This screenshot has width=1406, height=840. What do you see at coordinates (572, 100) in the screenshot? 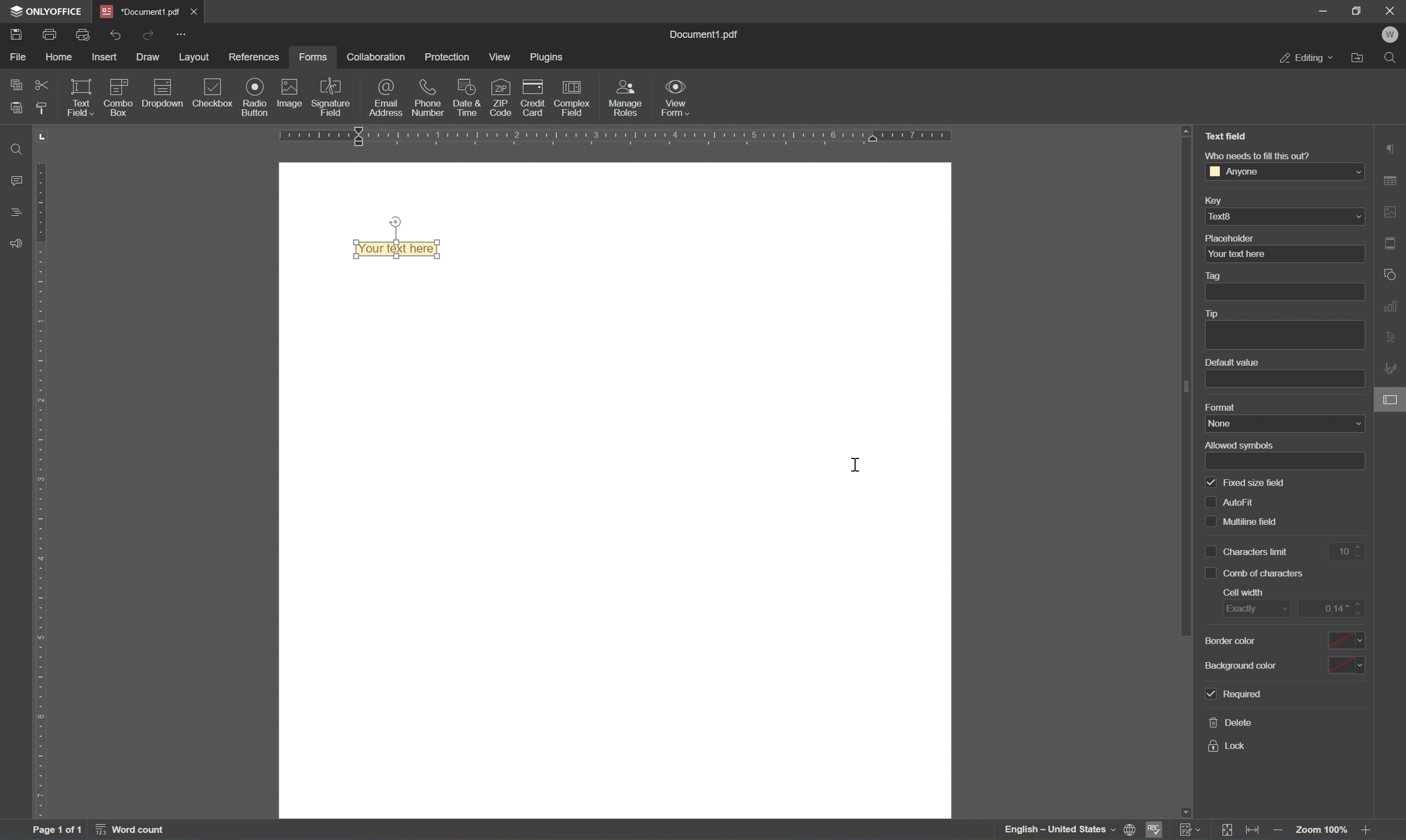
I see `complex fields` at bounding box center [572, 100].